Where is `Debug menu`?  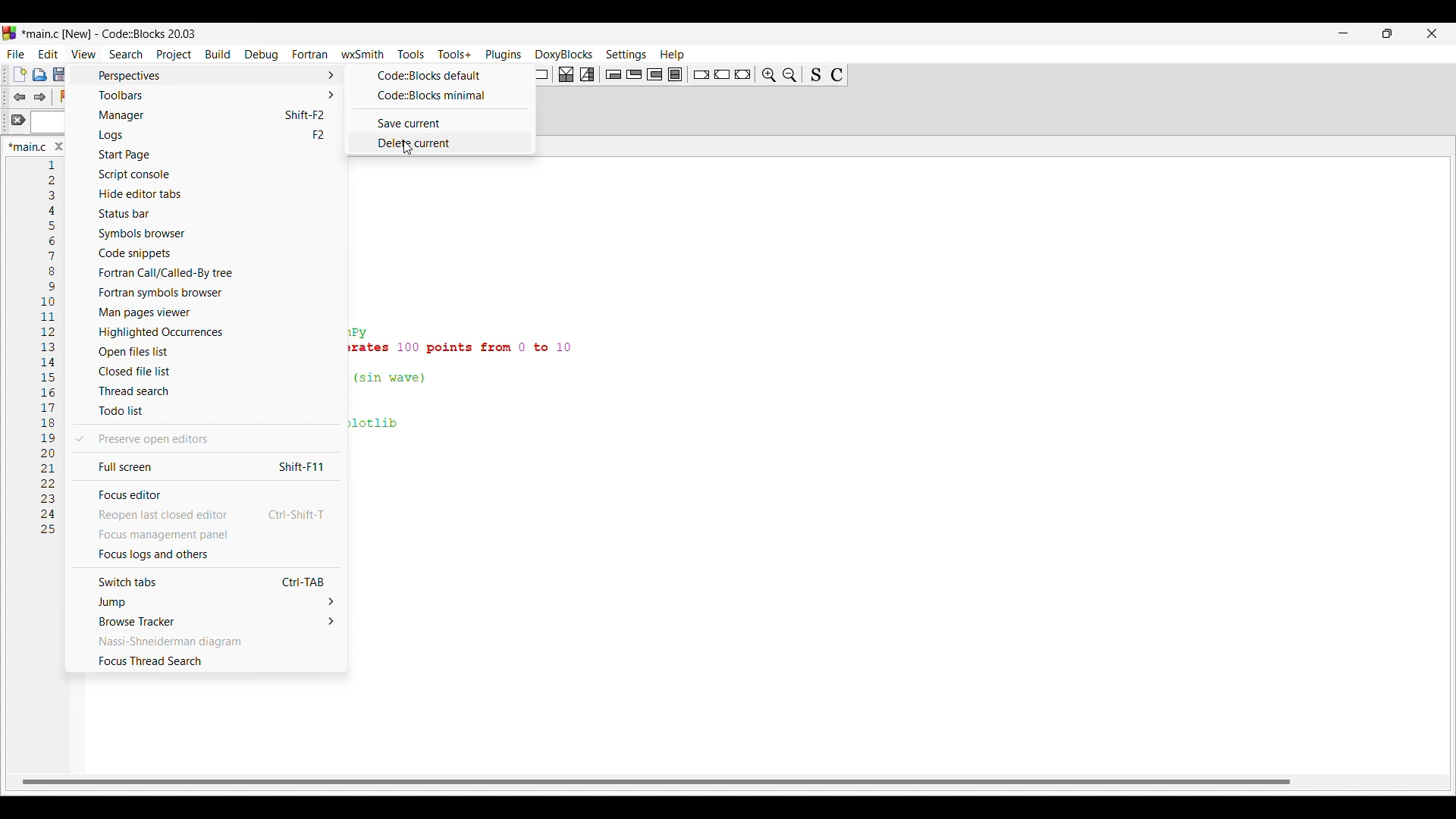
Debug menu is located at coordinates (262, 55).